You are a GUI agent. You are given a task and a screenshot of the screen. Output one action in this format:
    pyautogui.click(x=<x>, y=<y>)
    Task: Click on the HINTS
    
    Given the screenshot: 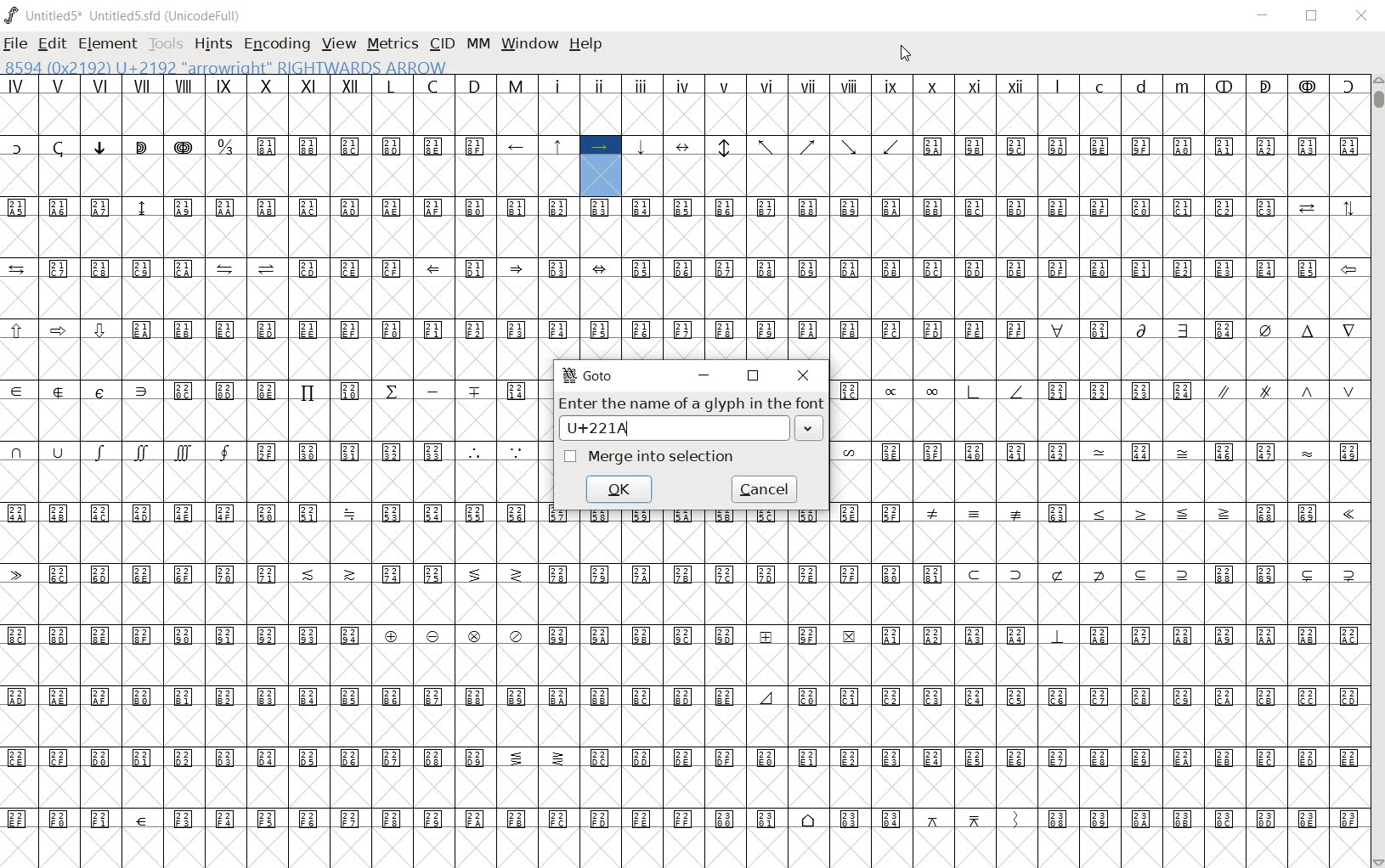 What is the action you would take?
    pyautogui.click(x=212, y=45)
    